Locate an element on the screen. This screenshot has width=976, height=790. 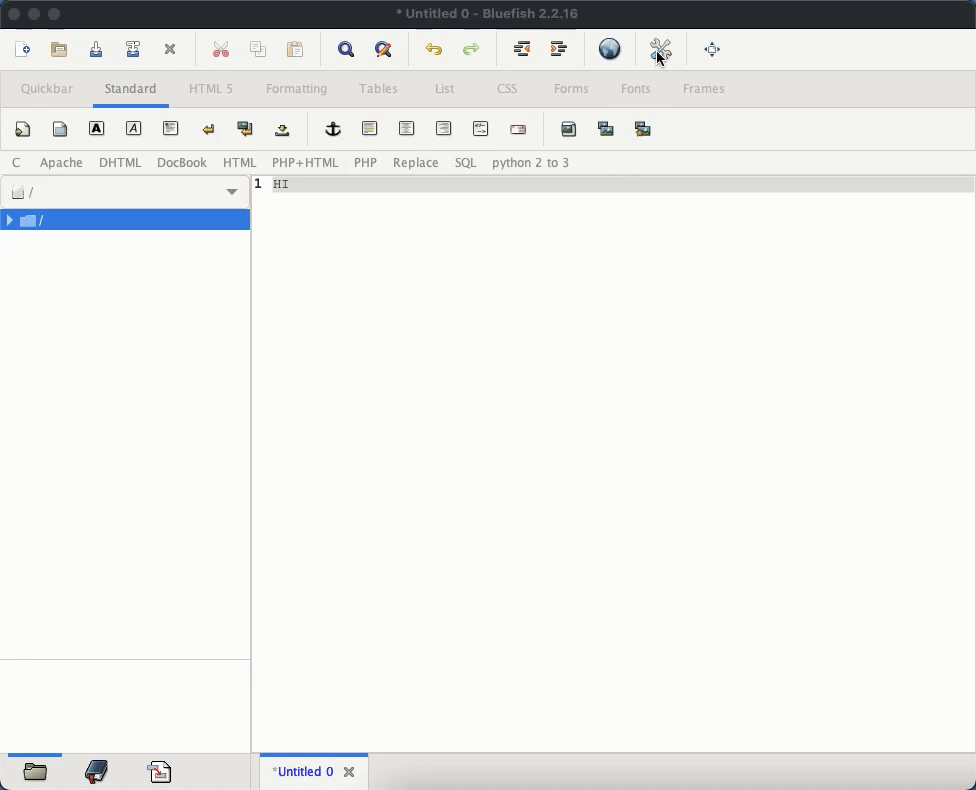
save current file is located at coordinates (97, 48).